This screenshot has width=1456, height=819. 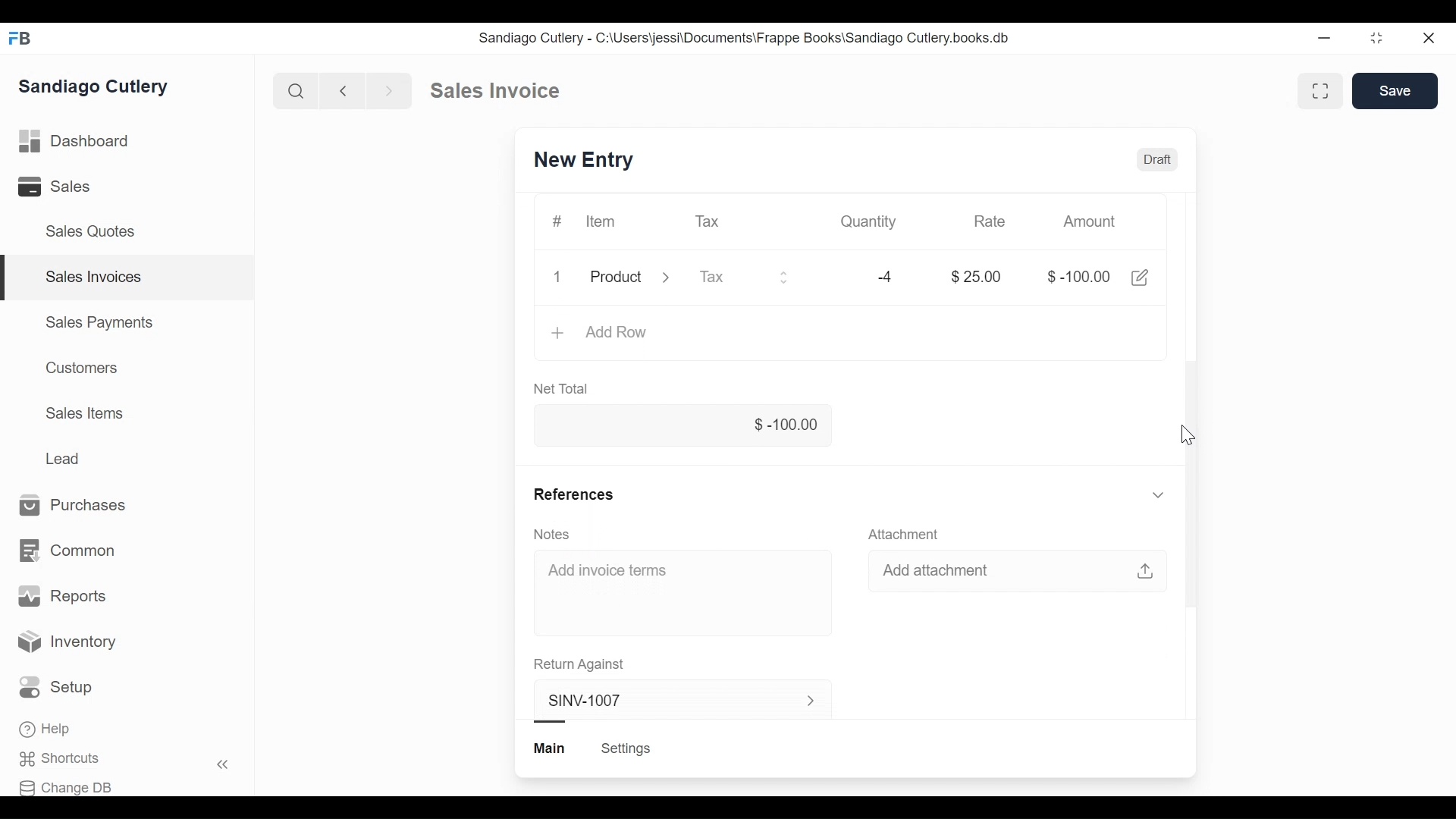 I want to click on  Change DB, so click(x=67, y=787).